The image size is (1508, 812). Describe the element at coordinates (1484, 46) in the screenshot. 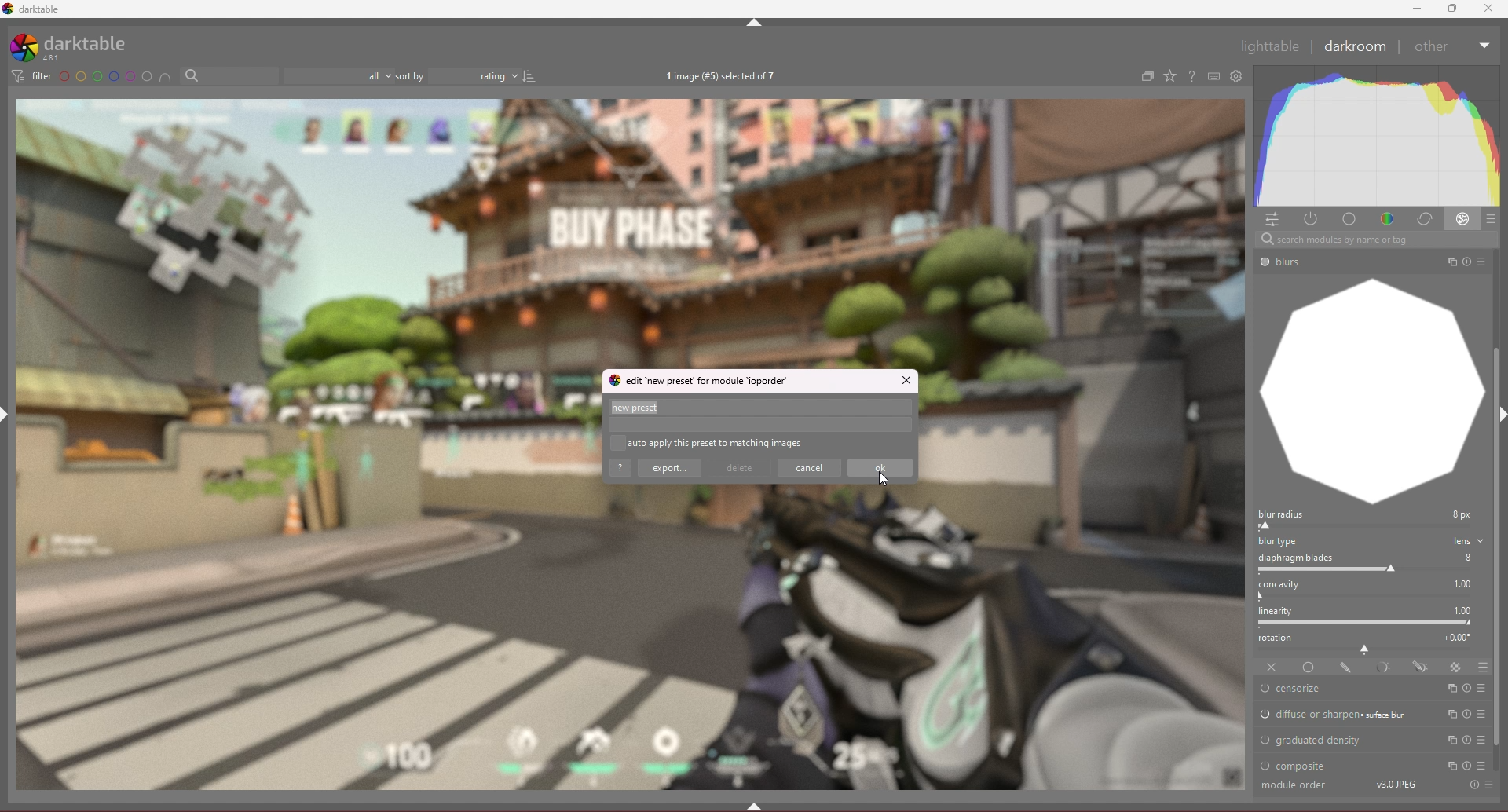

I see `` at that location.